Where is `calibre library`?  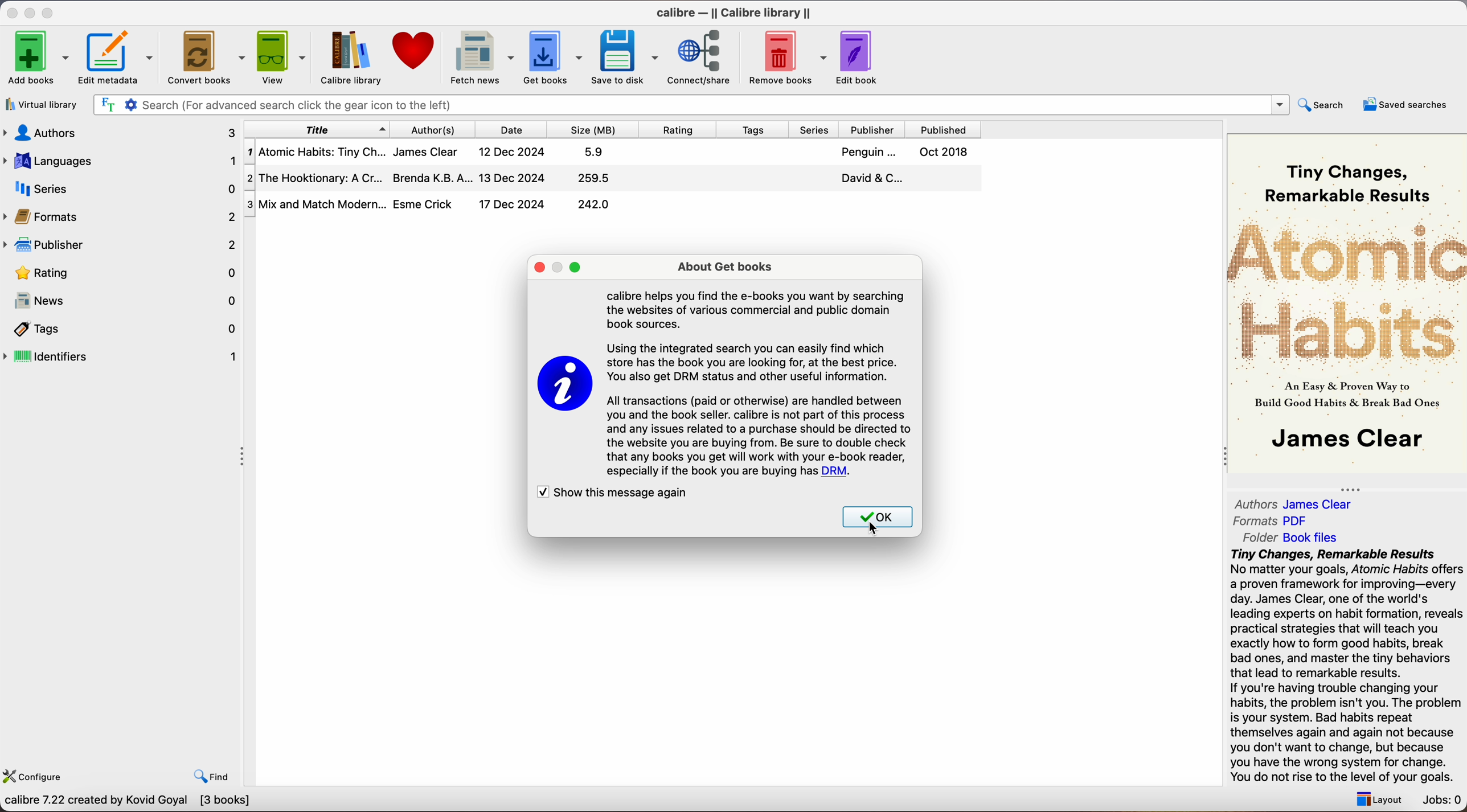
calibre library is located at coordinates (346, 58).